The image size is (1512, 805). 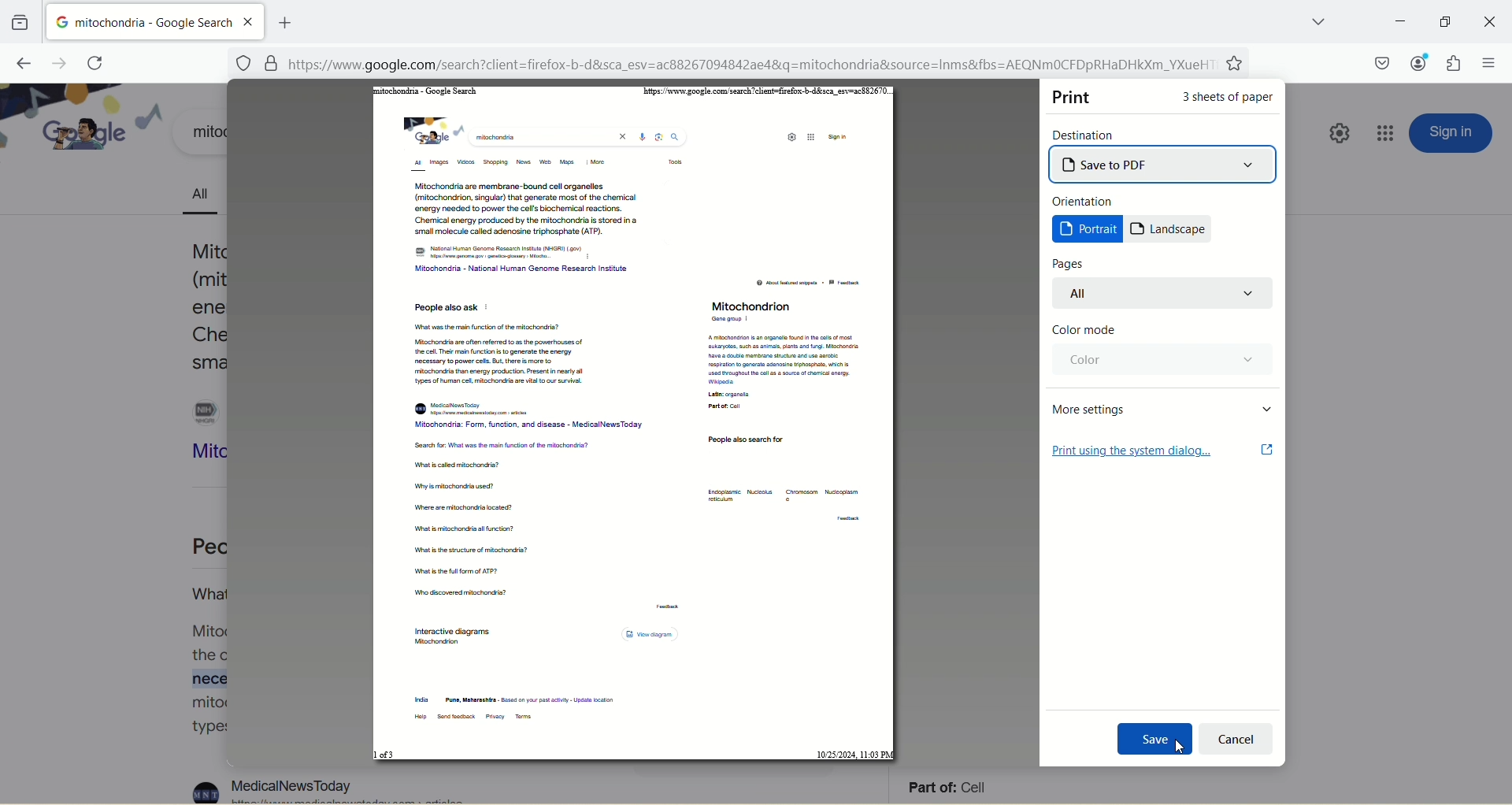 What do you see at coordinates (284, 20) in the screenshot?
I see `add new tab` at bounding box center [284, 20].